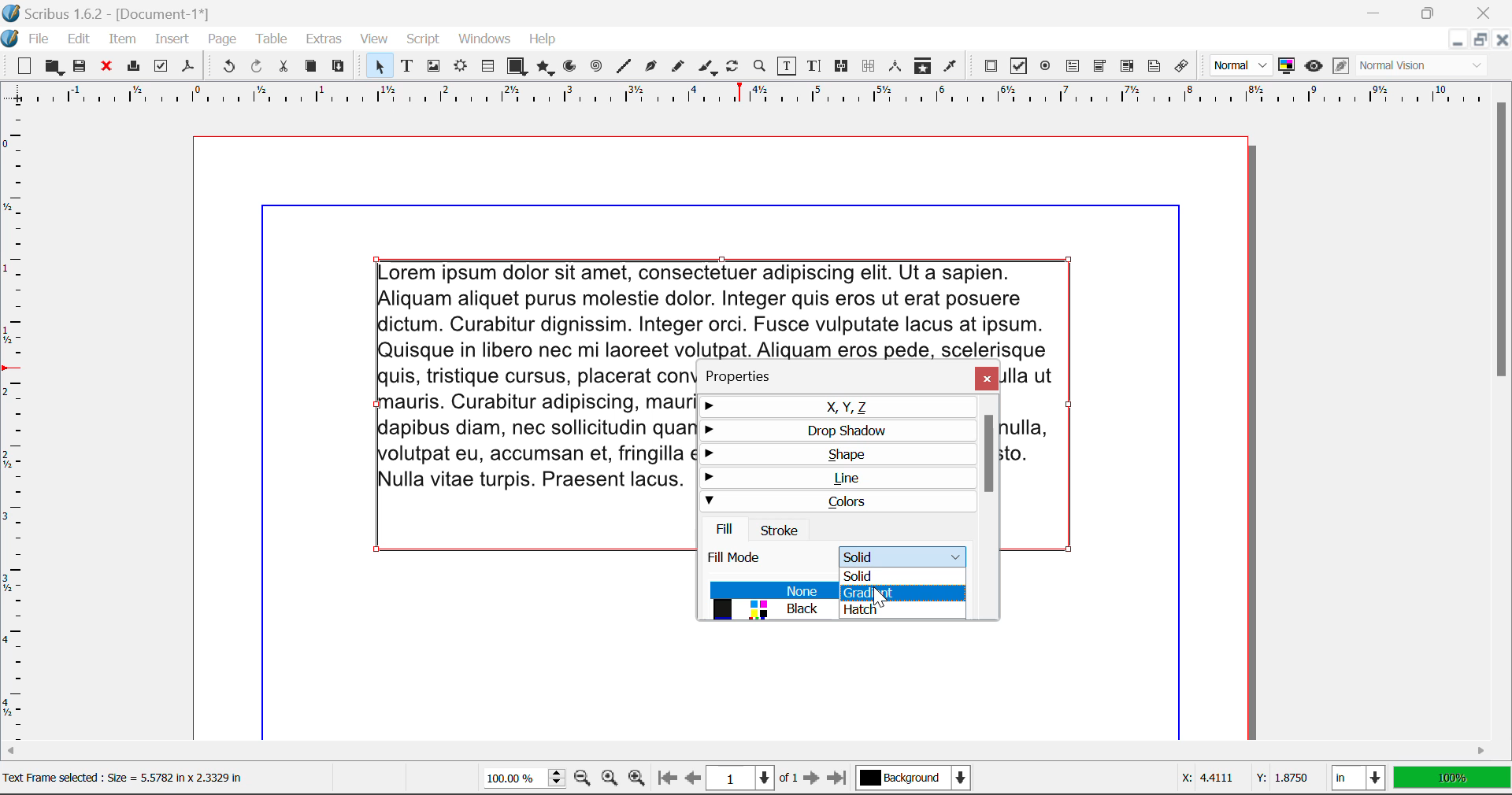 The width and height of the screenshot is (1512, 795). Describe the element at coordinates (1341, 66) in the screenshot. I see `Edit in Preview Mode` at that location.